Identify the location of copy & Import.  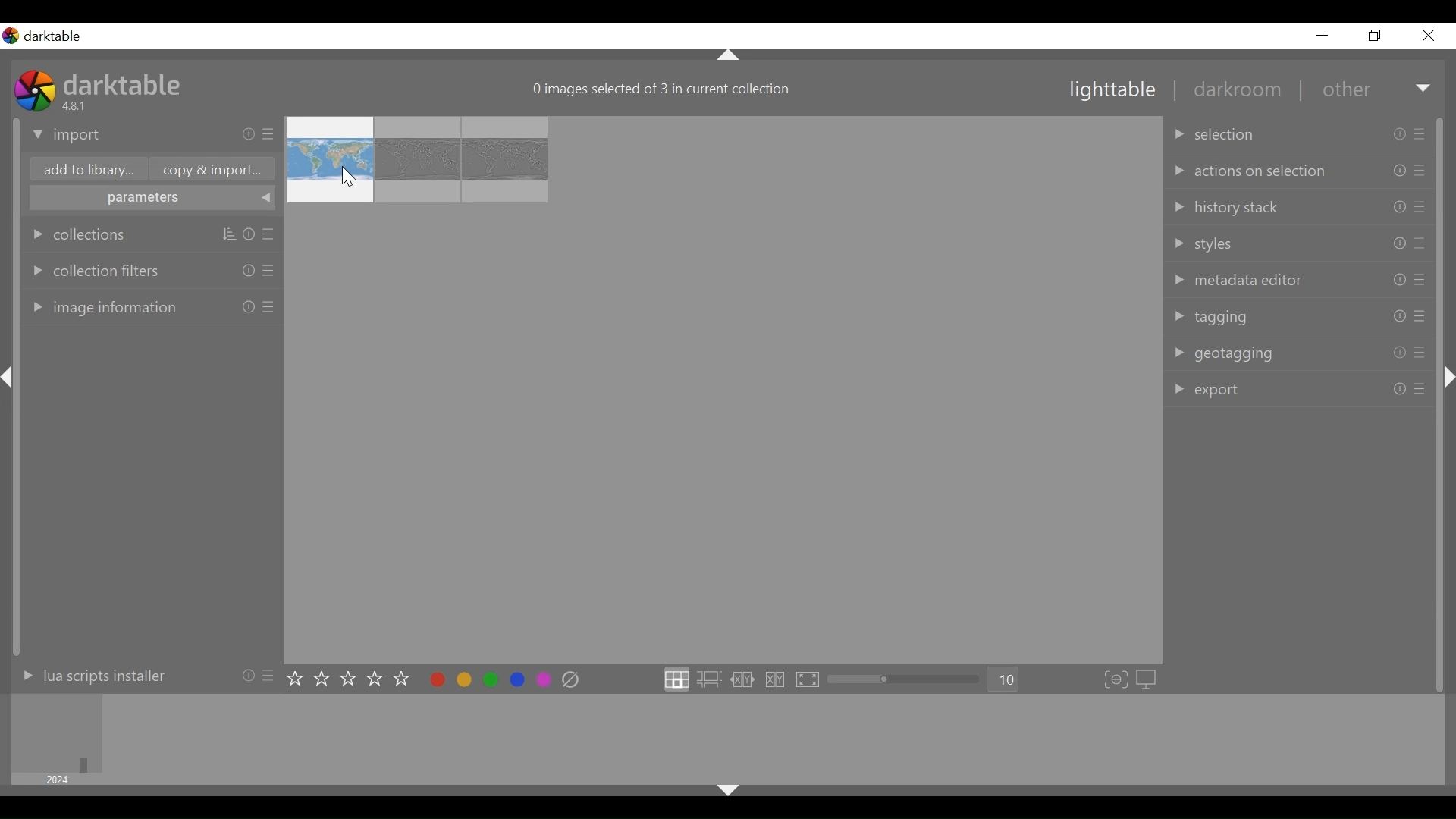
(213, 170).